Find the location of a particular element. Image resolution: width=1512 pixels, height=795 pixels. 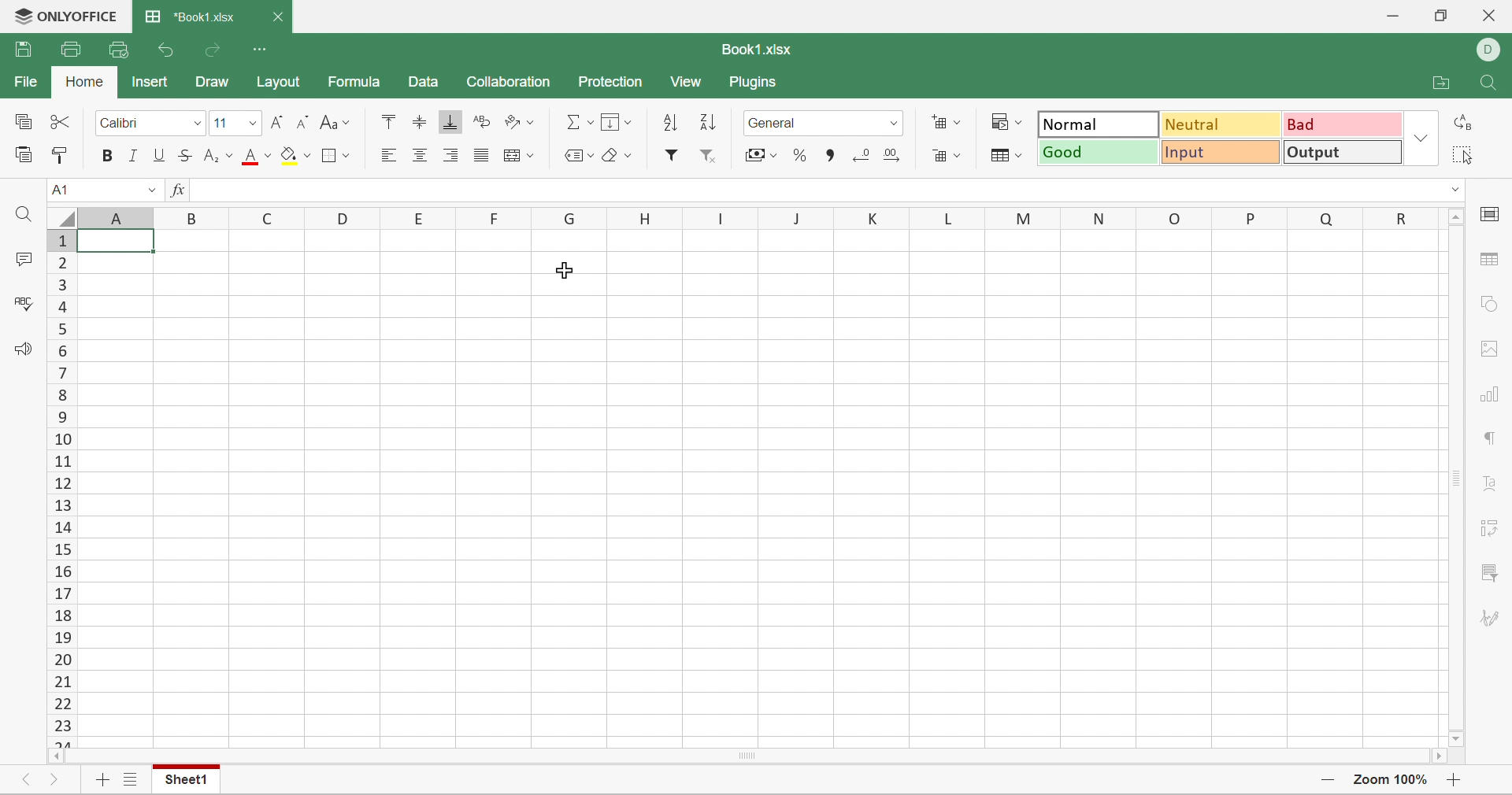

Decrease decimal is located at coordinates (861, 155).